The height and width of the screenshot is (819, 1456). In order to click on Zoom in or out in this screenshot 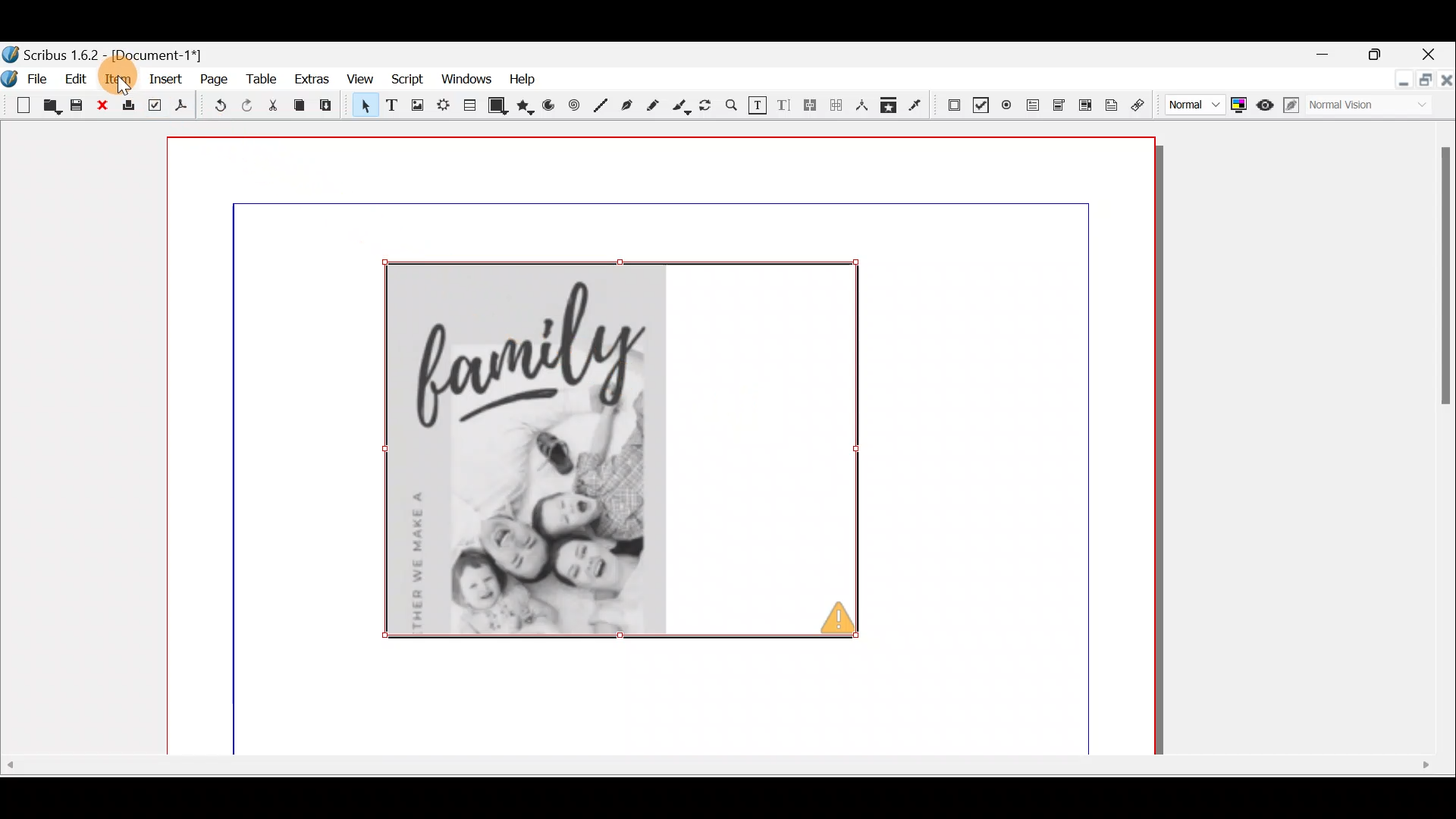, I will do `click(732, 107)`.